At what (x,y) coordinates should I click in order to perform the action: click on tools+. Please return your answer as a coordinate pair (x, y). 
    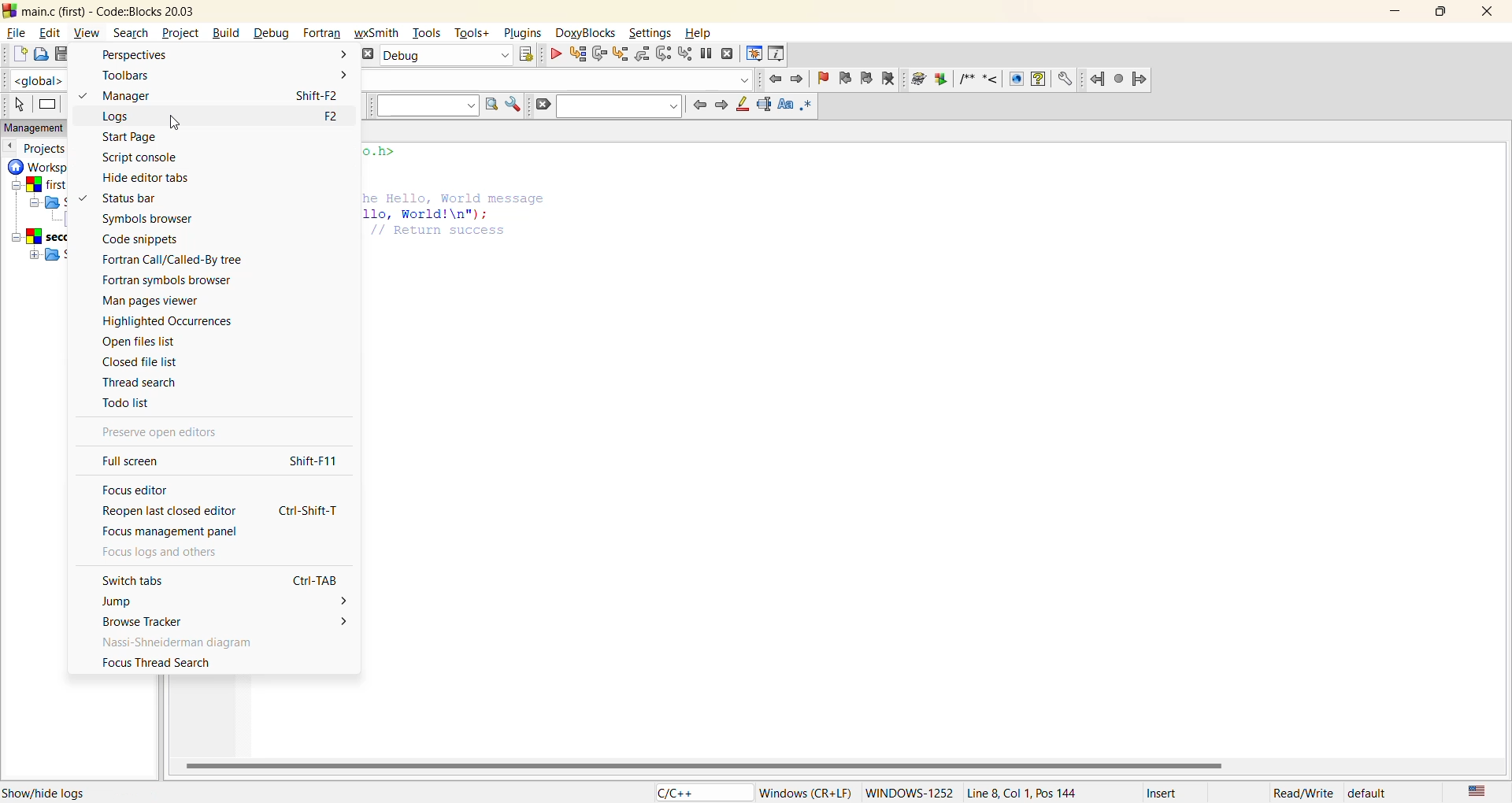
    Looking at the image, I should click on (472, 33).